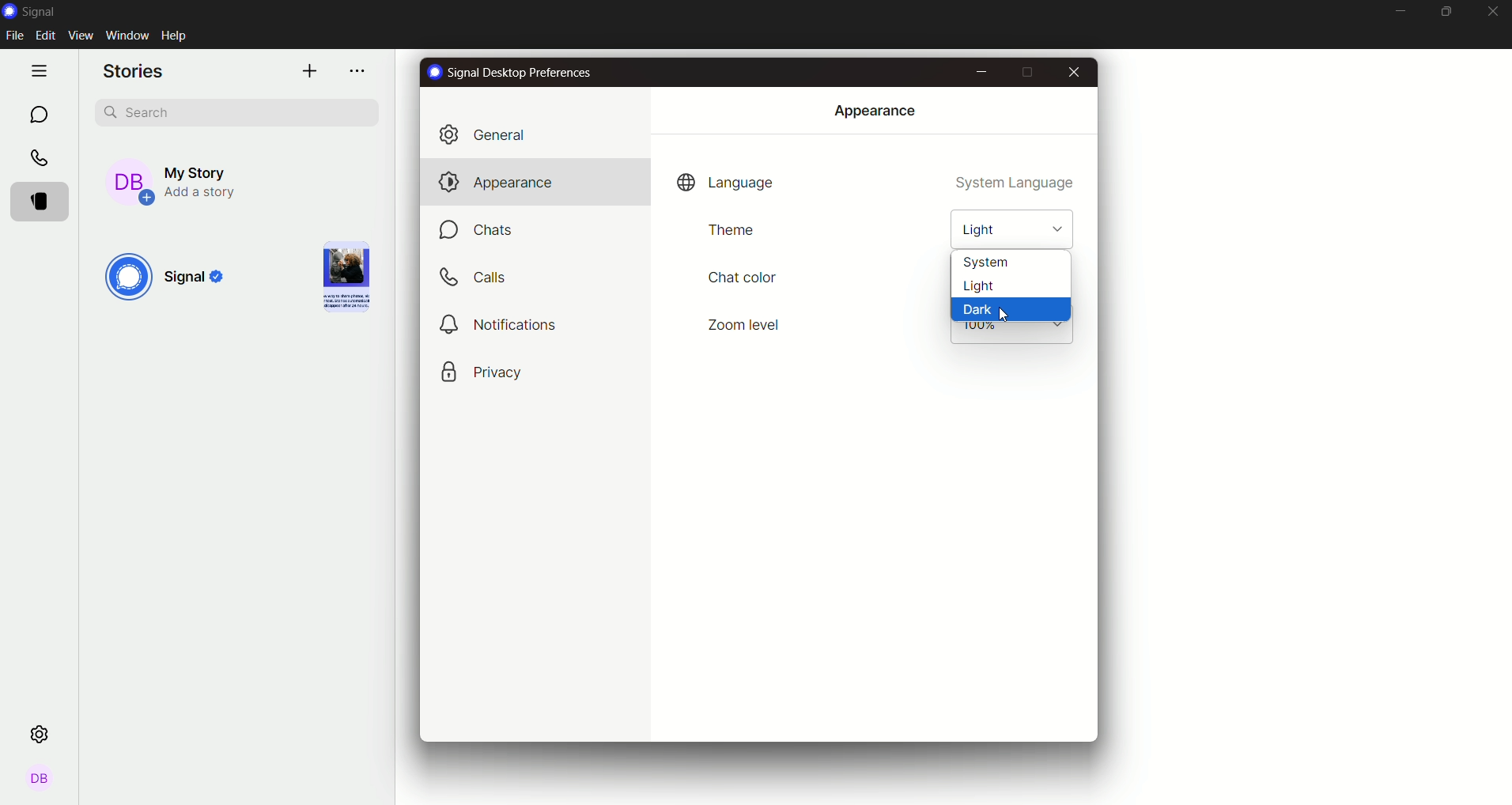 The width and height of the screenshot is (1512, 805). I want to click on maximize, so click(1026, 73).